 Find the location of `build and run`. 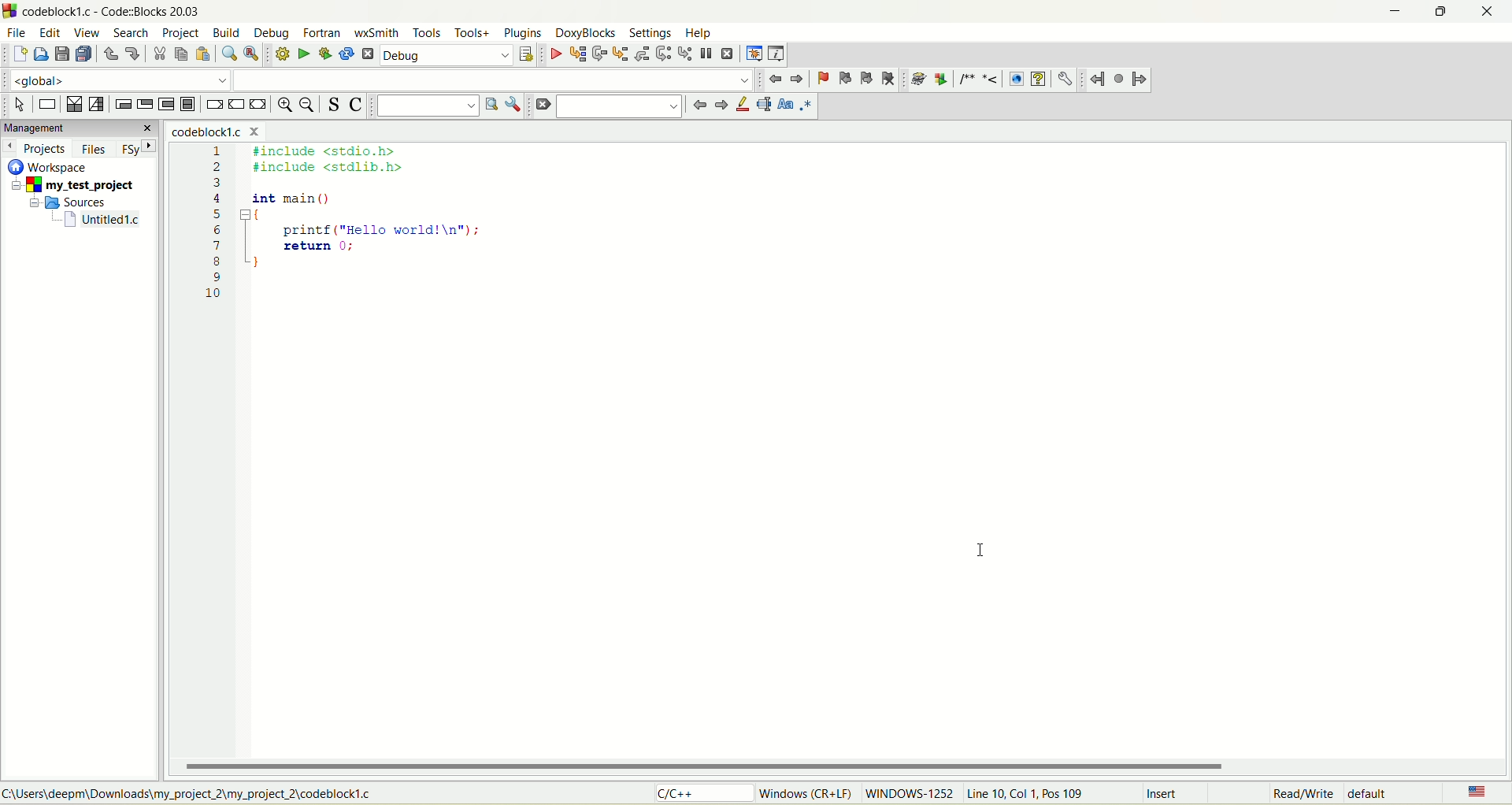

build and run is located at coordinates (326, 54).